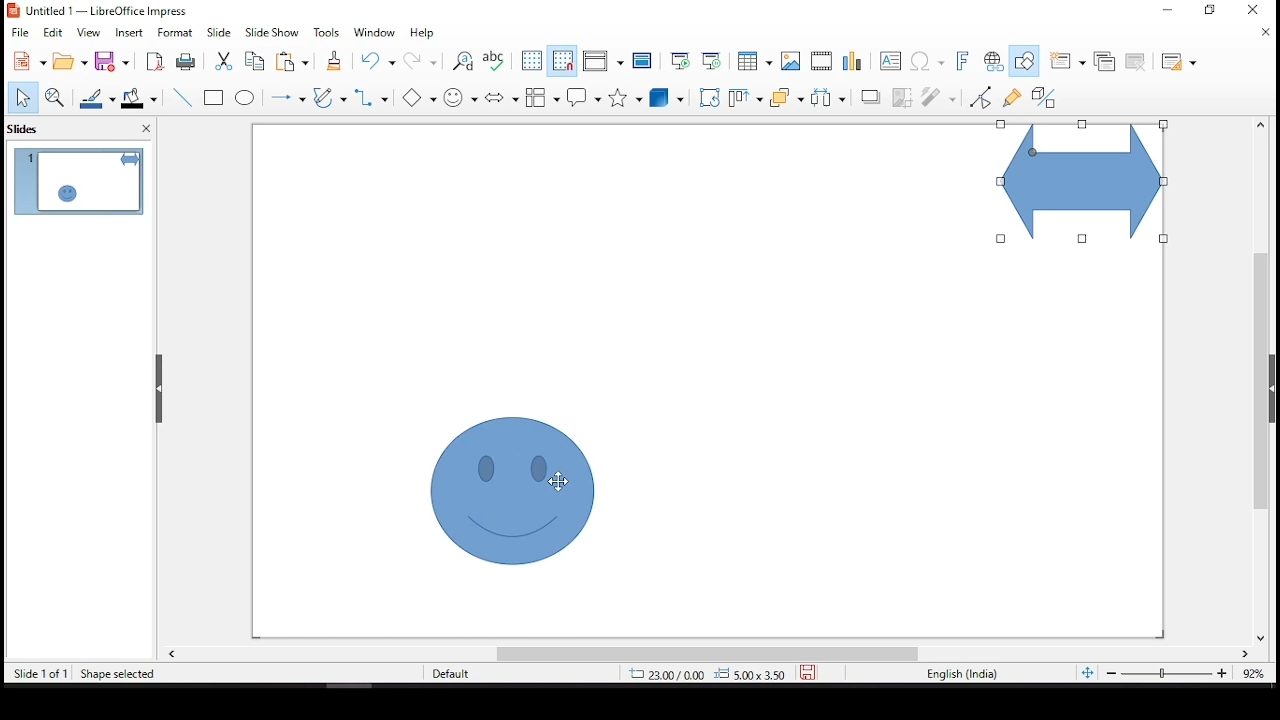 The image size is (1280, 720). What do you see at coordinates (115, 62) in the screenshot?
I see `save` at bounding box center [115, 62].